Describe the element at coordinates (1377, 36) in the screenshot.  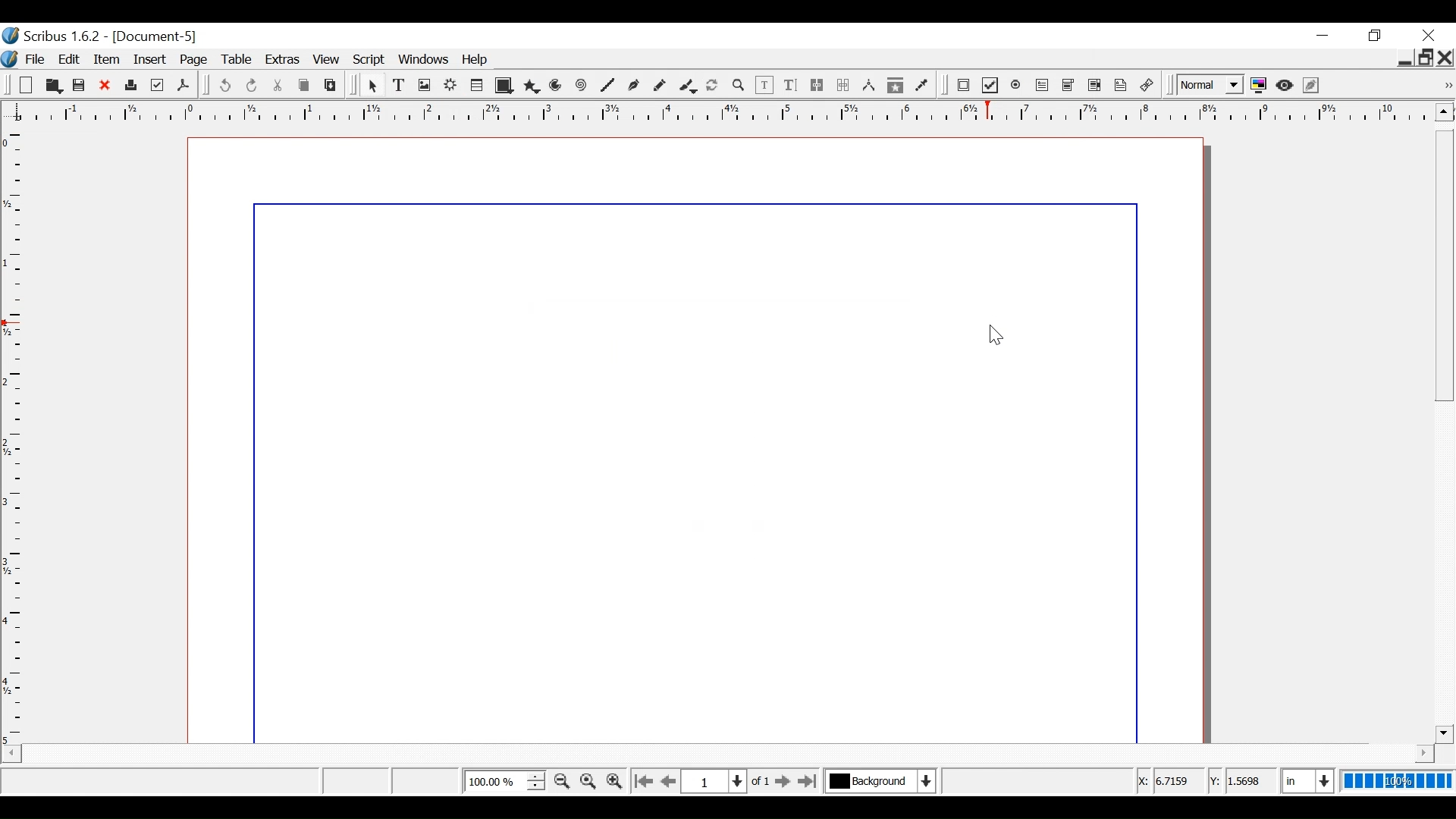
I see `minimize` at that location.